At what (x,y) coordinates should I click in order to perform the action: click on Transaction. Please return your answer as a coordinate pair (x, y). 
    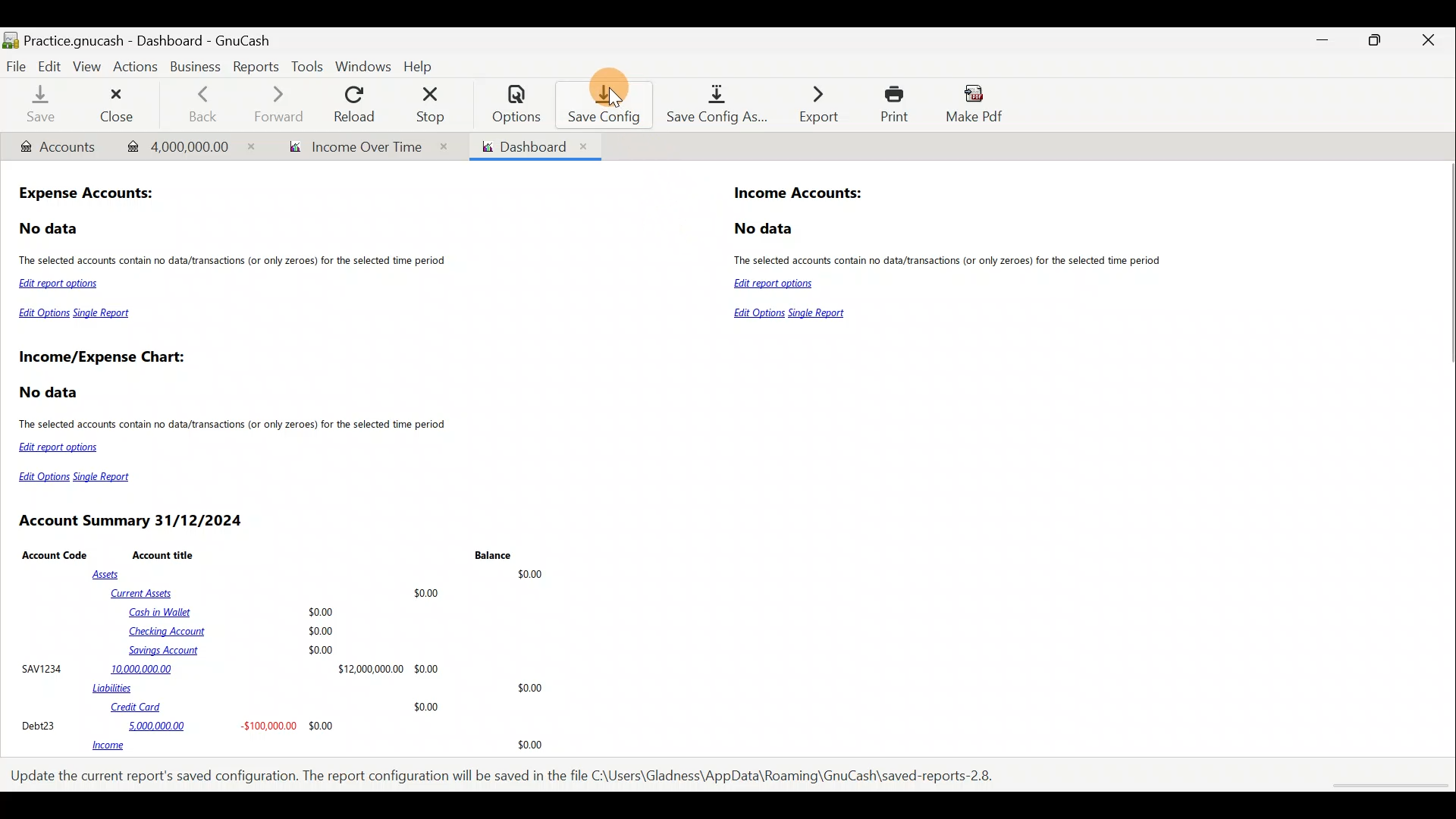
    Looking at the image, I should click on (184, 145).